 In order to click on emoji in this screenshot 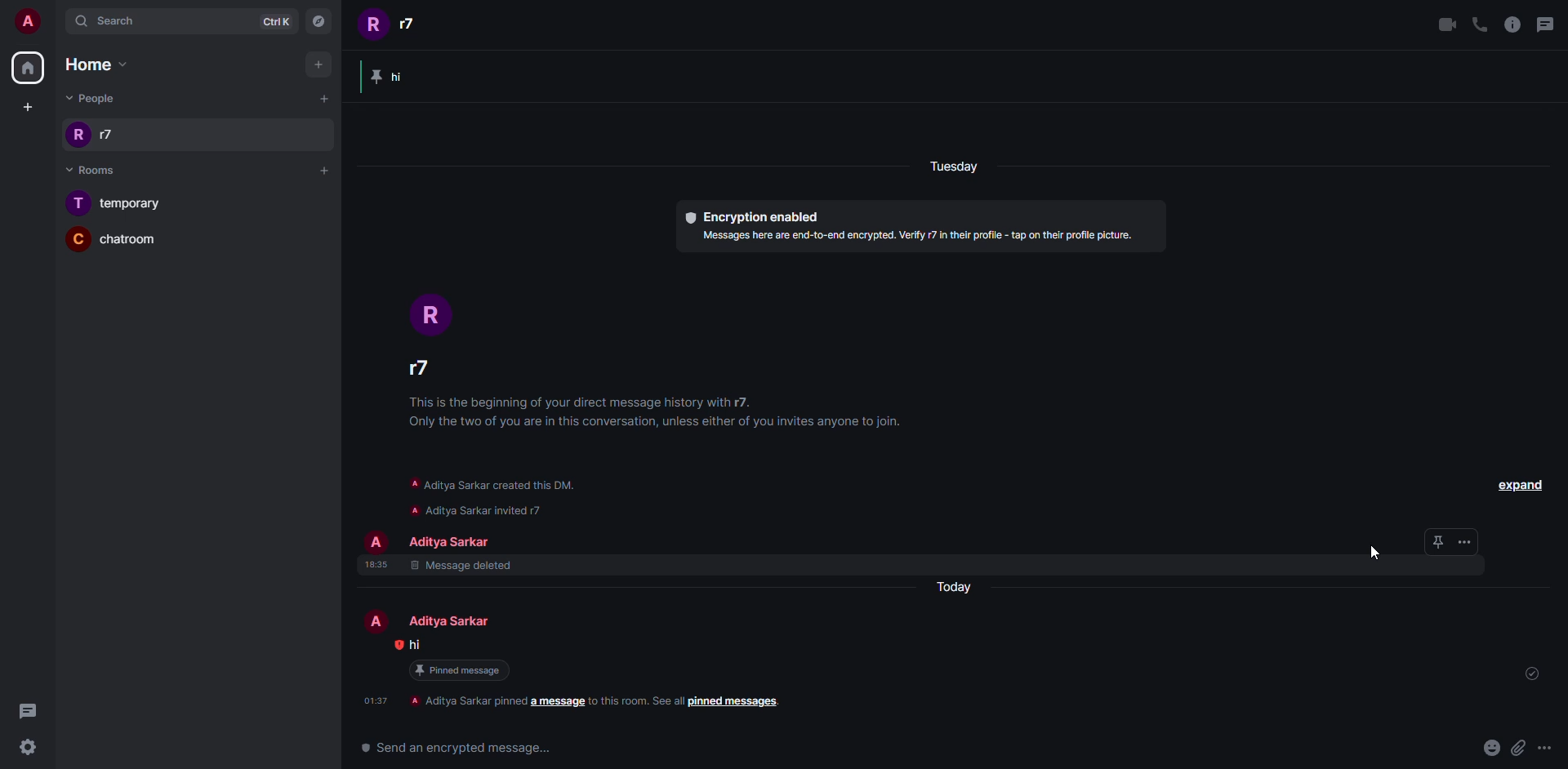, I will do `click(1490, 748)`.